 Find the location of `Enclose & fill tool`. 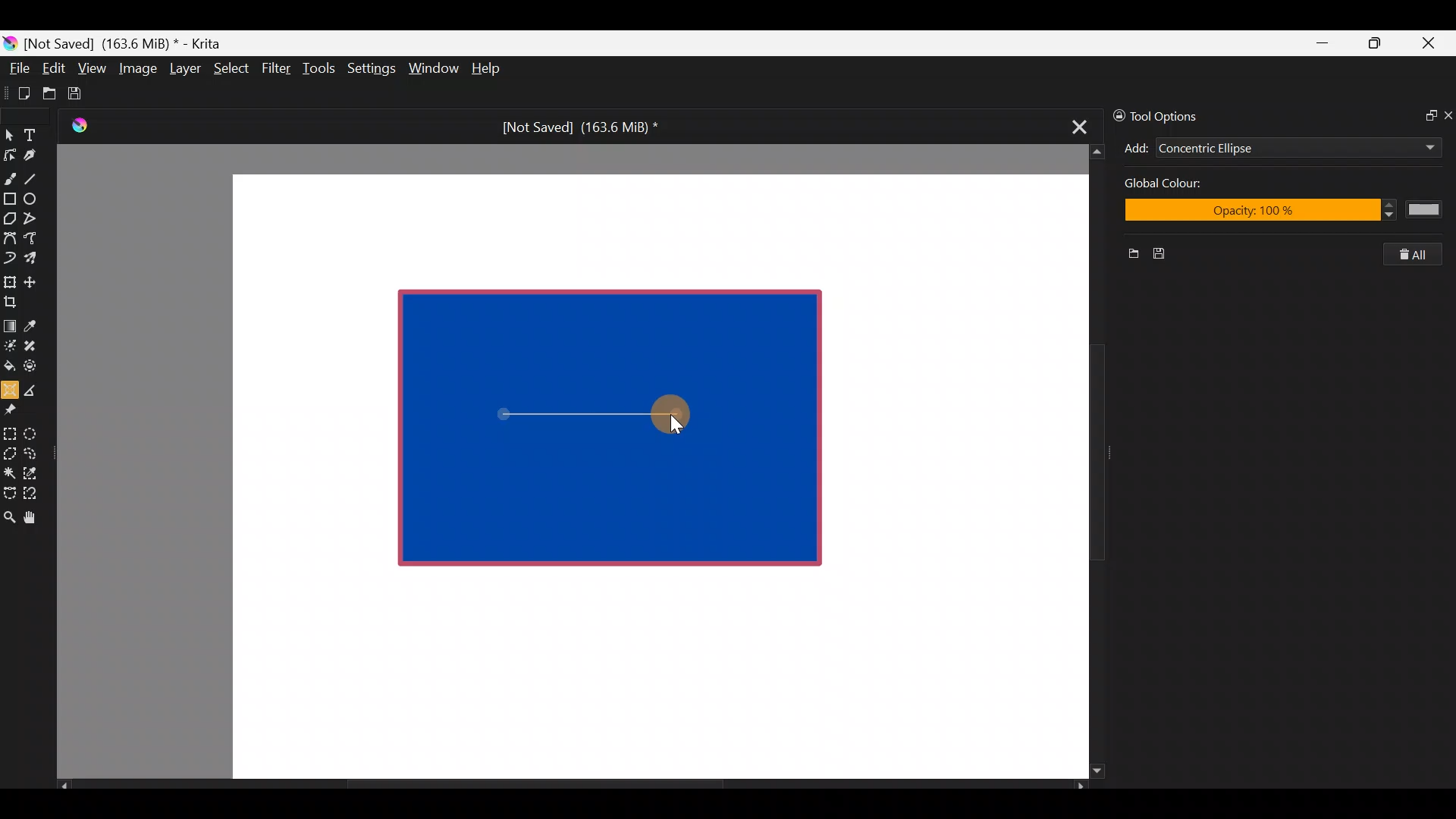

Enclose & fill tool is located at coordinates (33, 363).